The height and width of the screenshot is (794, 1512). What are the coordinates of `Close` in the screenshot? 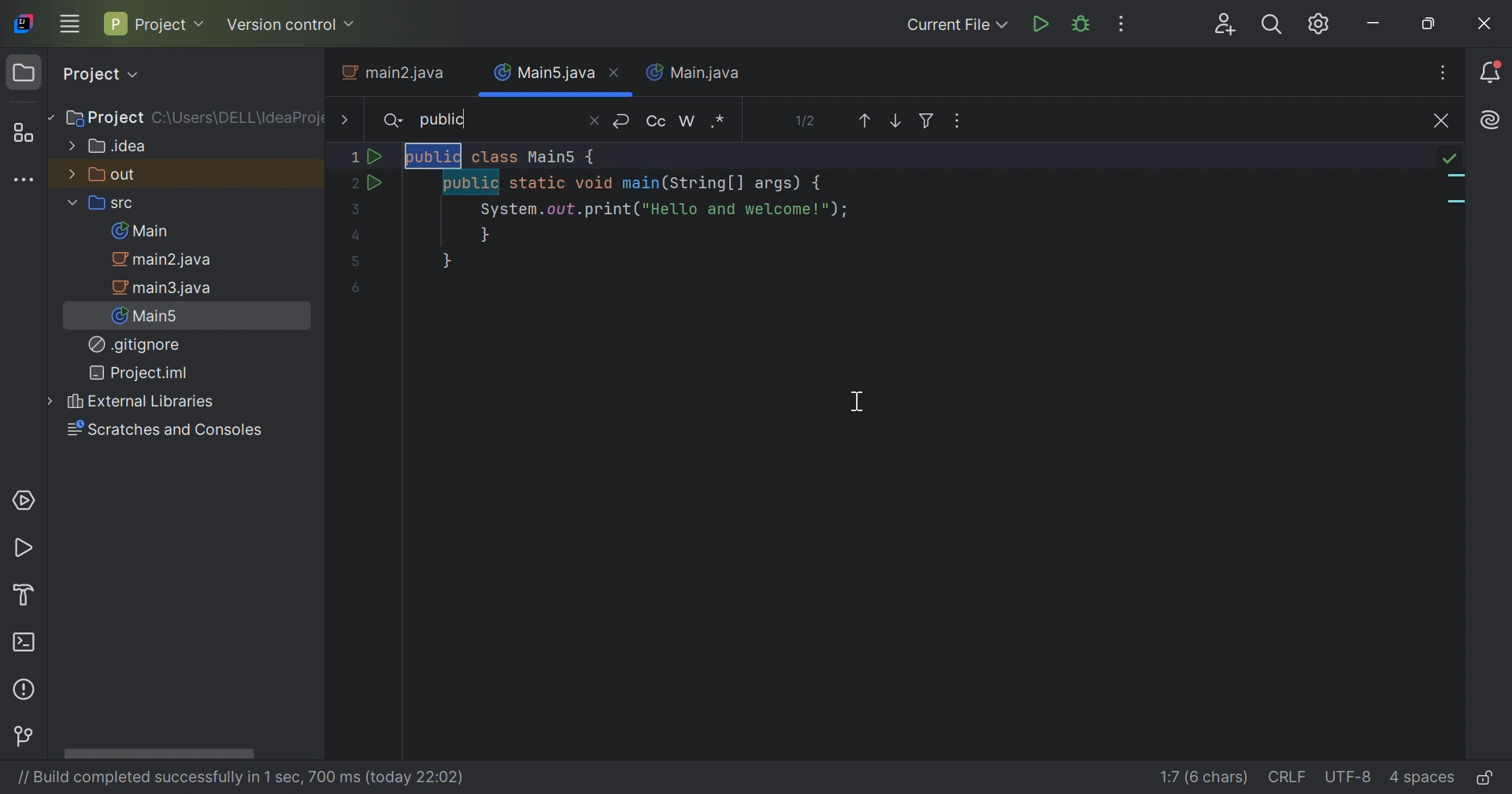 It's located at (595, 121).